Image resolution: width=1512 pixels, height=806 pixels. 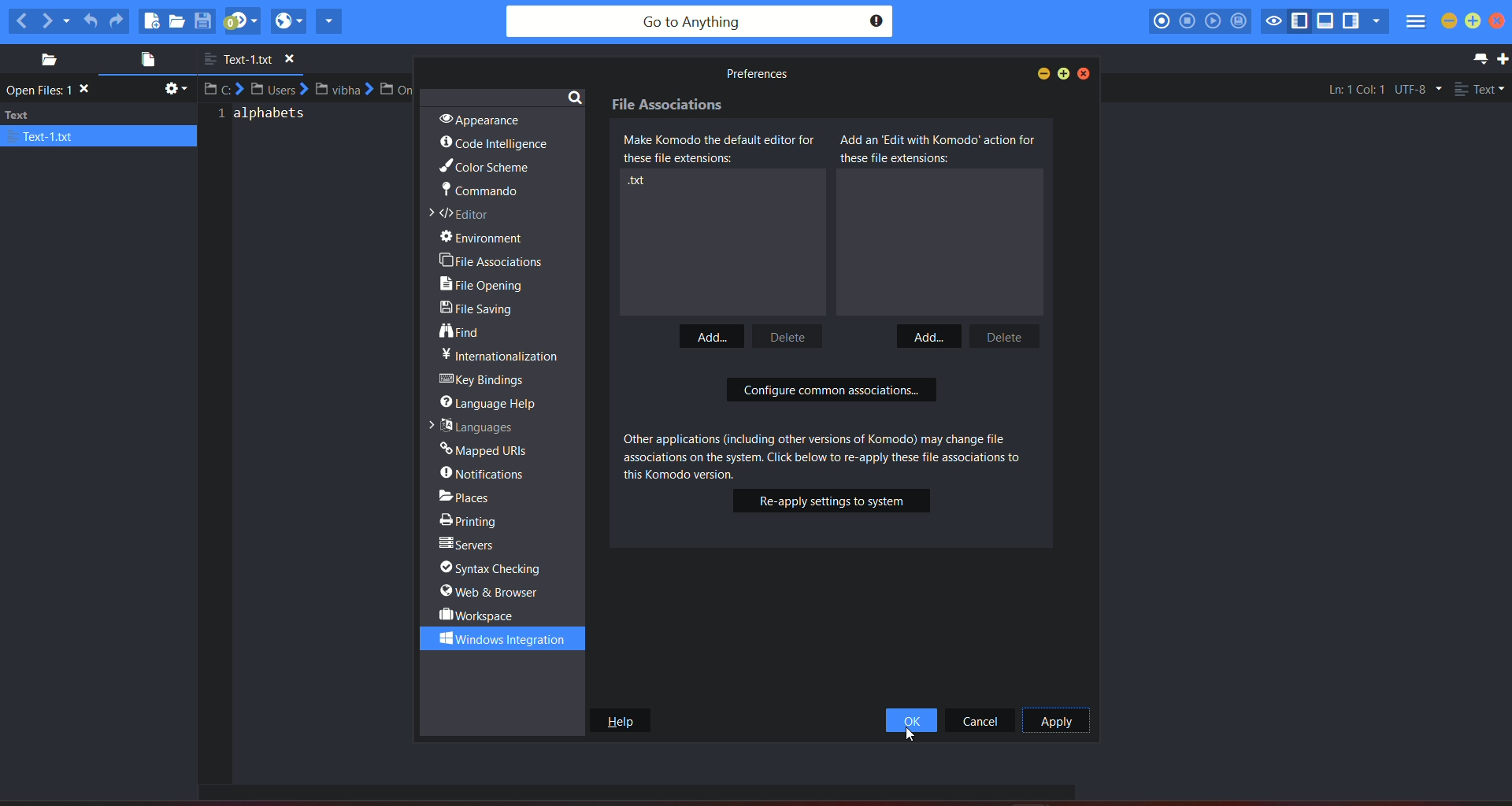 What do you see at coordinates (495, 638) in the screenshot?
I see `windows integration` at bounding box center [495, 638].